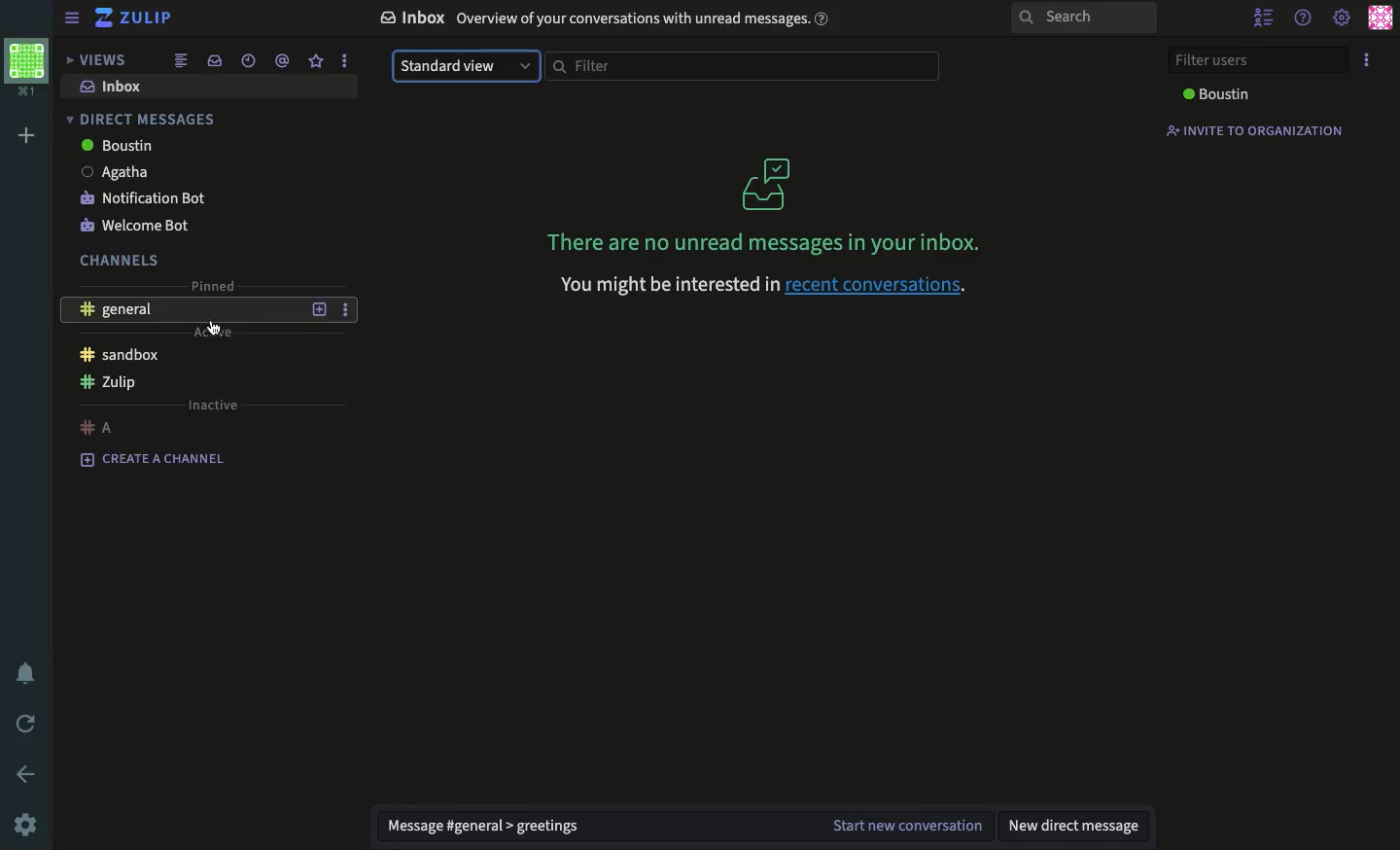  I want to click on channels, so click(115, 262).